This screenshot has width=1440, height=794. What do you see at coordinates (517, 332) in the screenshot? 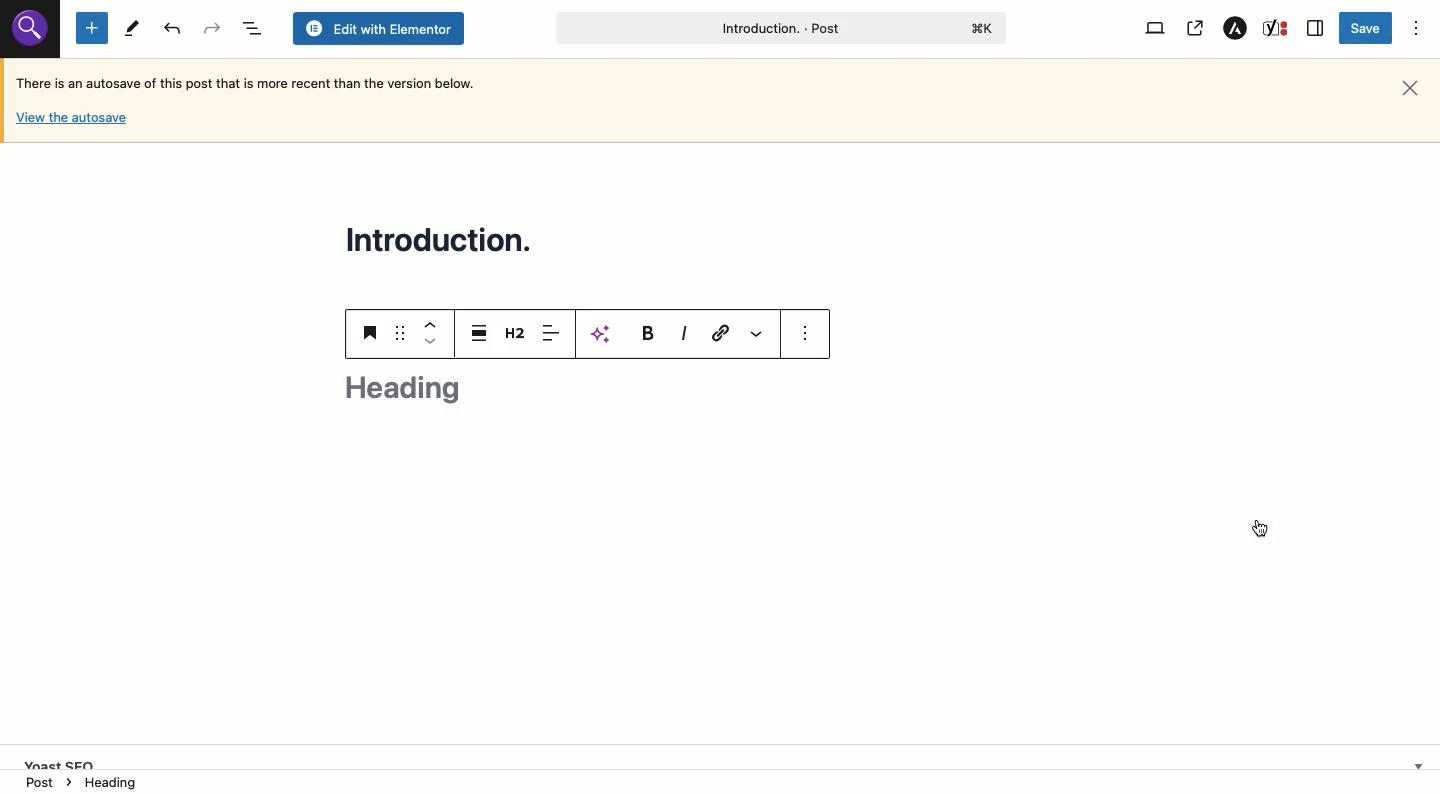
I see `Heading 2` at bounding box center [517, 332].